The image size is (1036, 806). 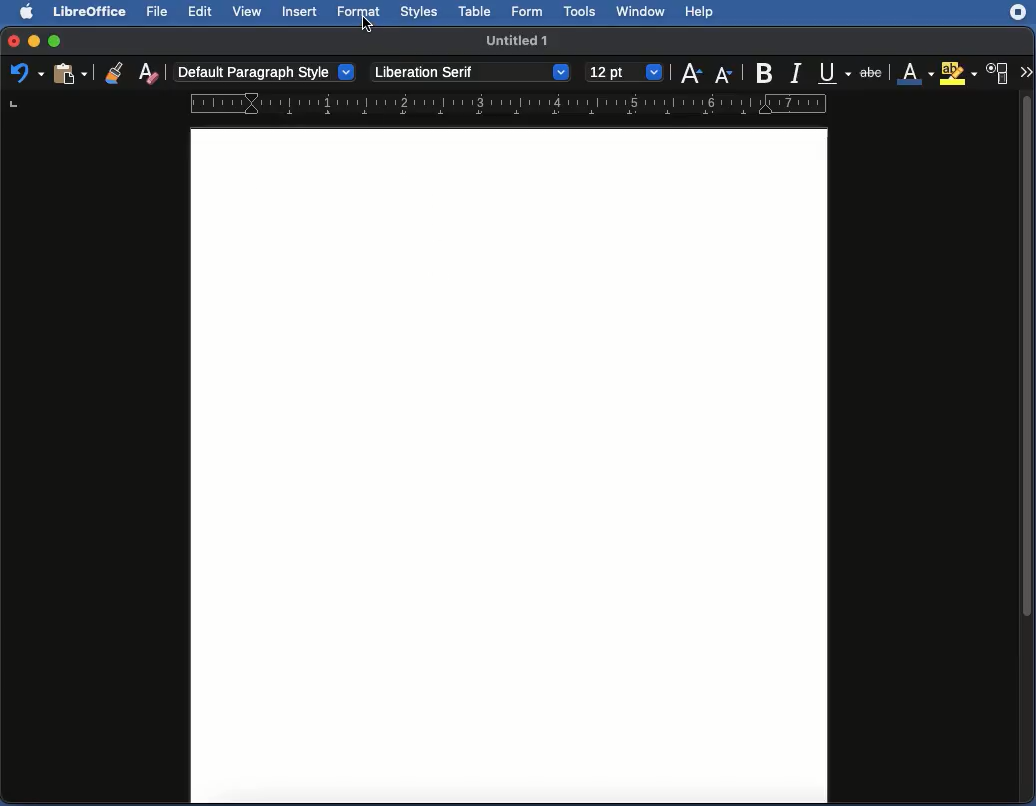 I want to click on Undo, so click(x=25, y=75).